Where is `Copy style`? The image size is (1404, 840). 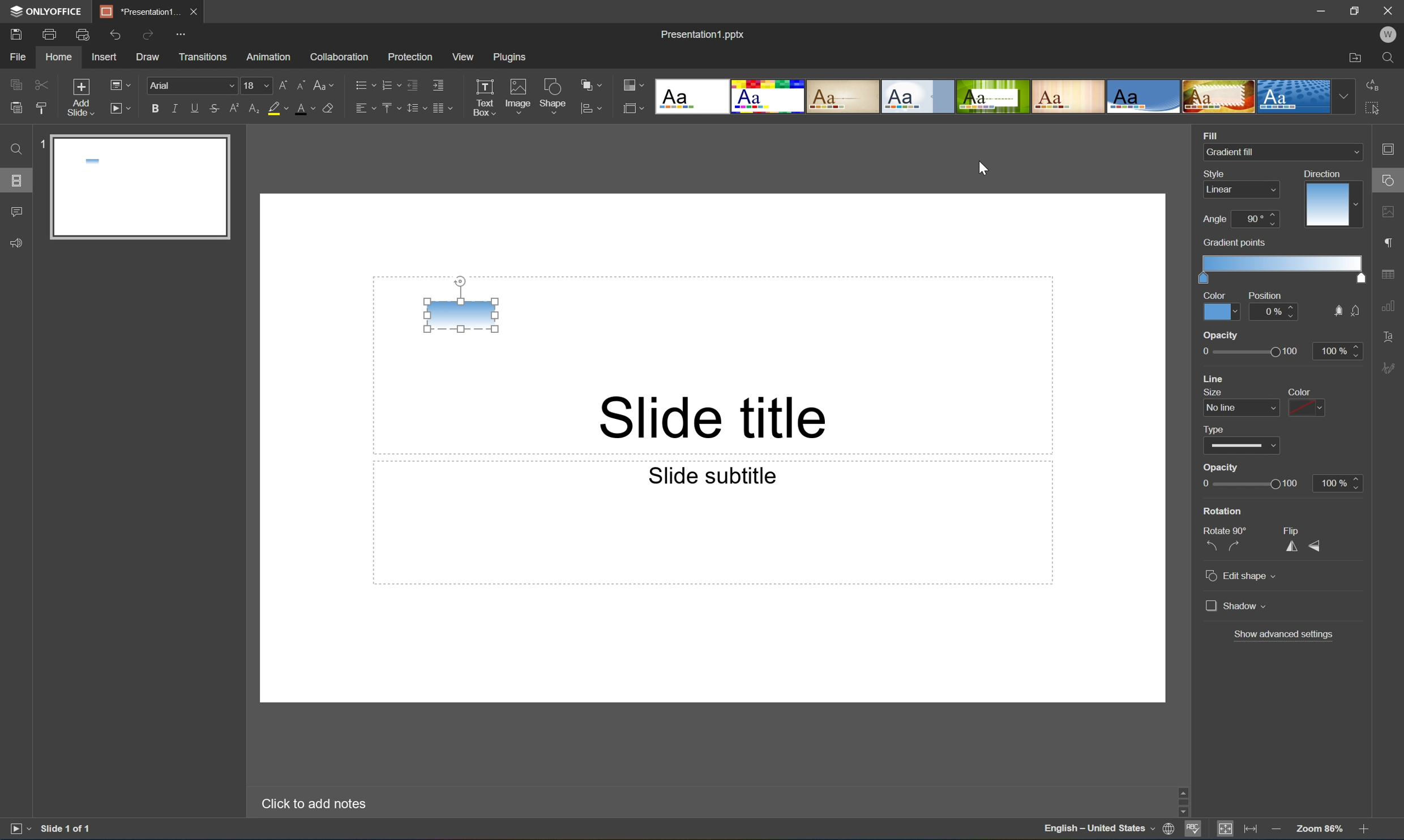 Copy style is located at coordinates (41, 108).